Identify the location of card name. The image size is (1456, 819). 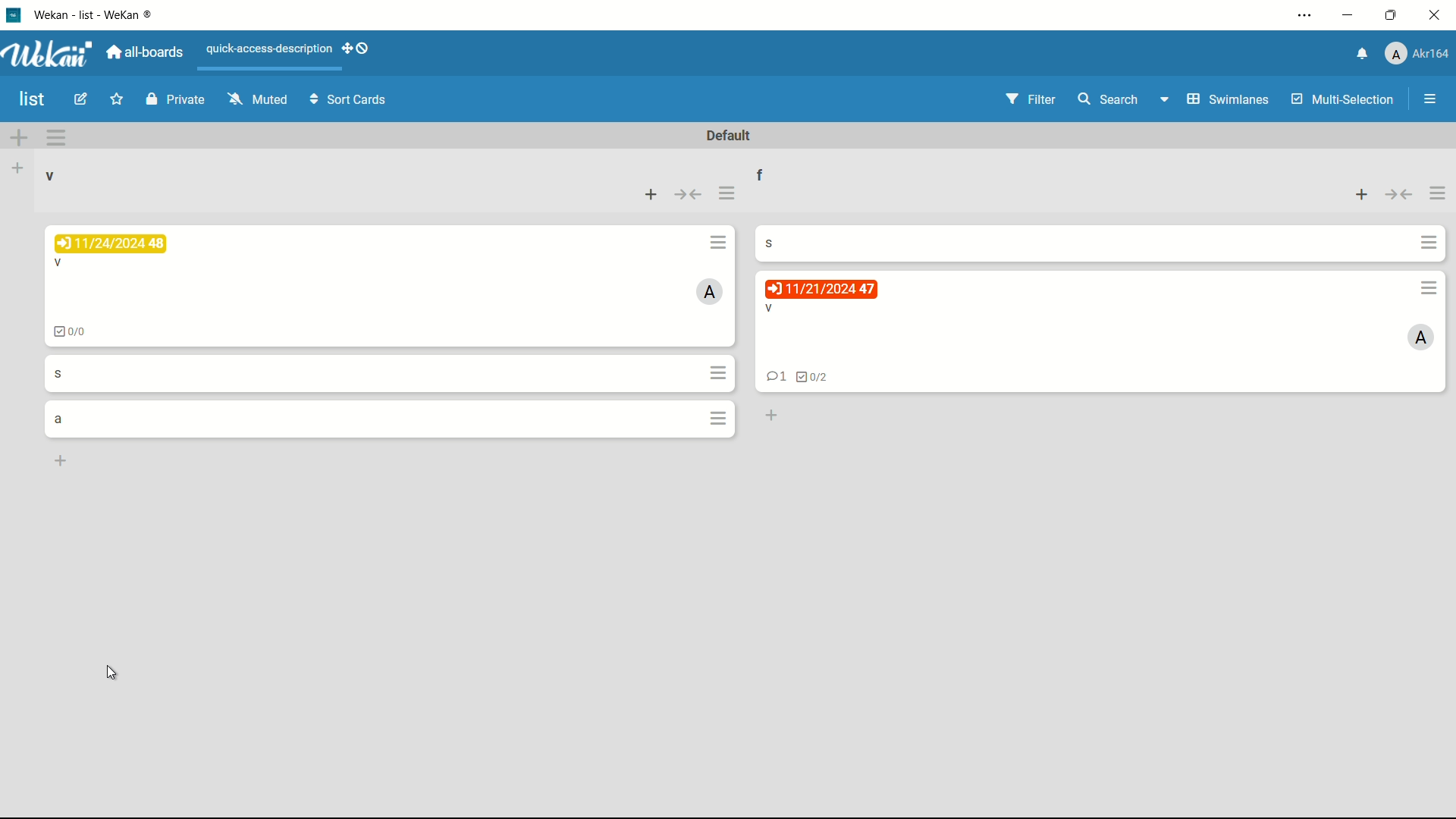
(61, 265).